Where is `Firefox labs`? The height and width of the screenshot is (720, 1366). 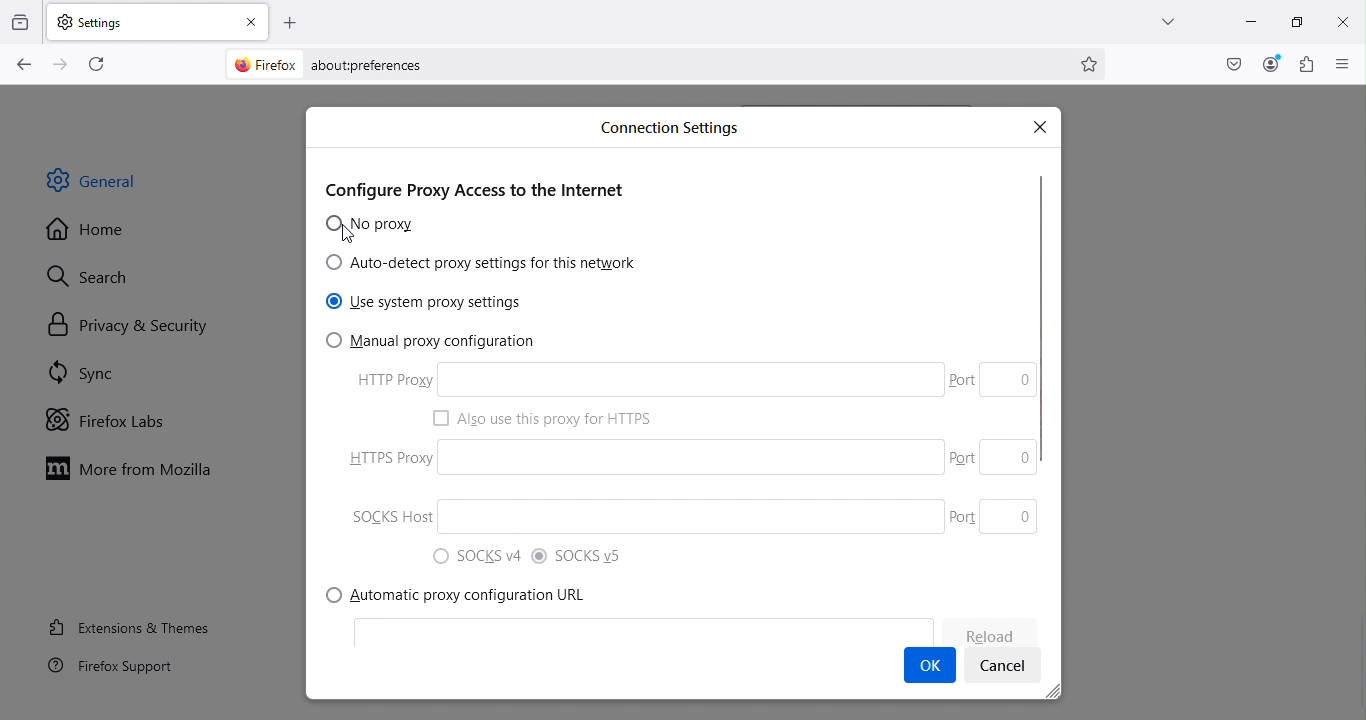
Firefox labs is located at coordinates (116, 417).